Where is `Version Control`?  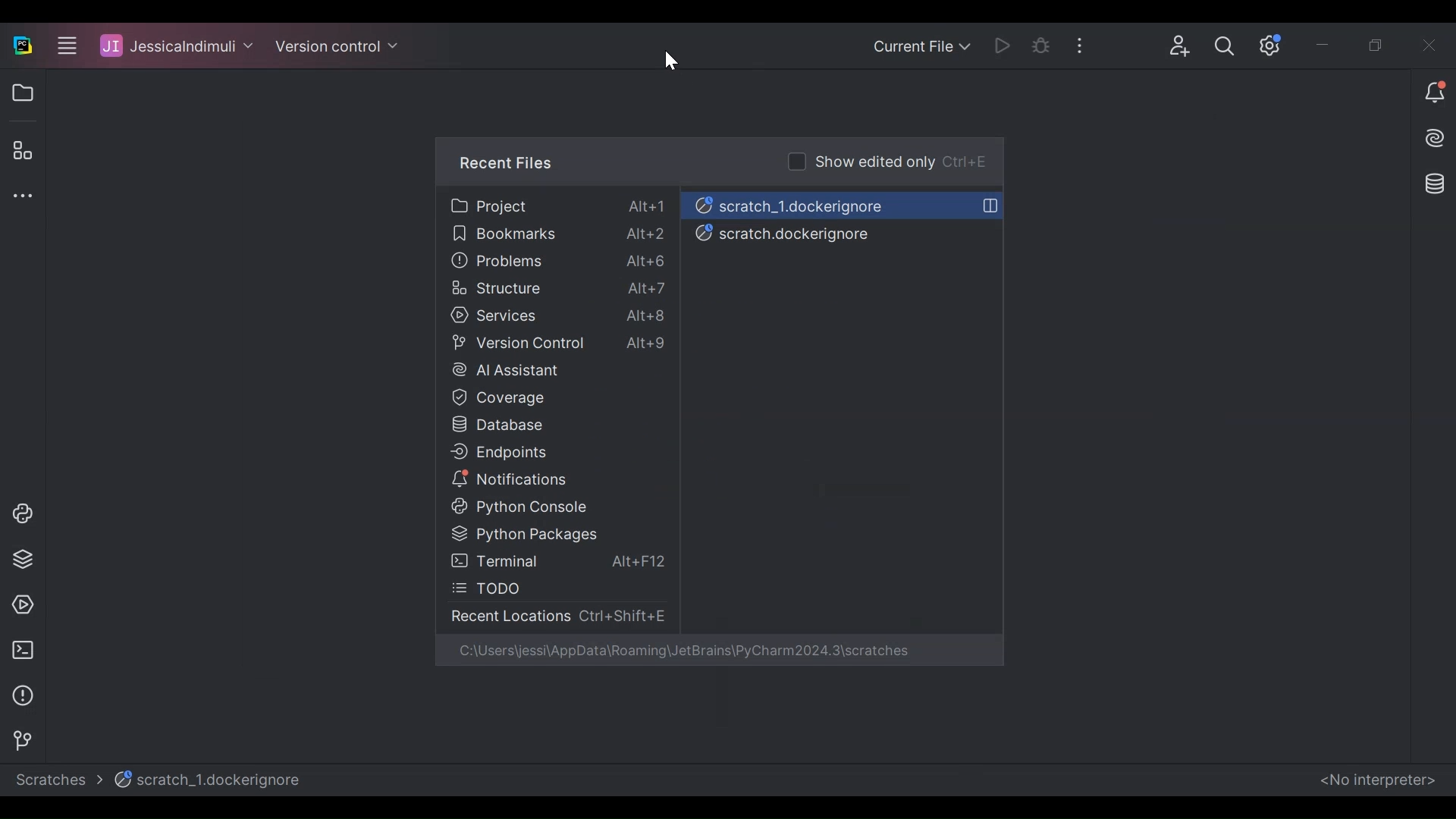
Version Control is located at coordinates (17, 739).